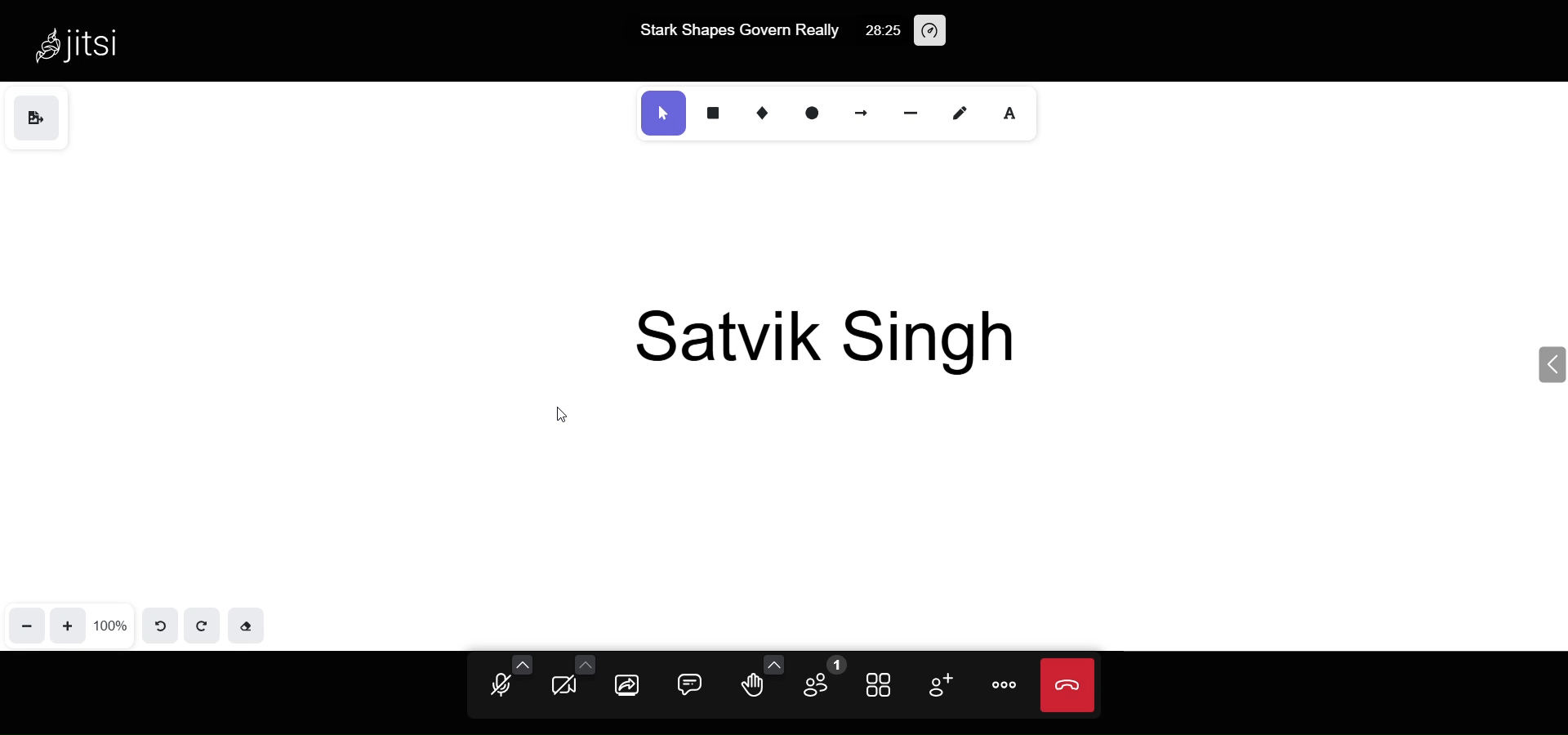  Describe the element at coordinates (911, 111) in the screenshot. I see `line` at that location.